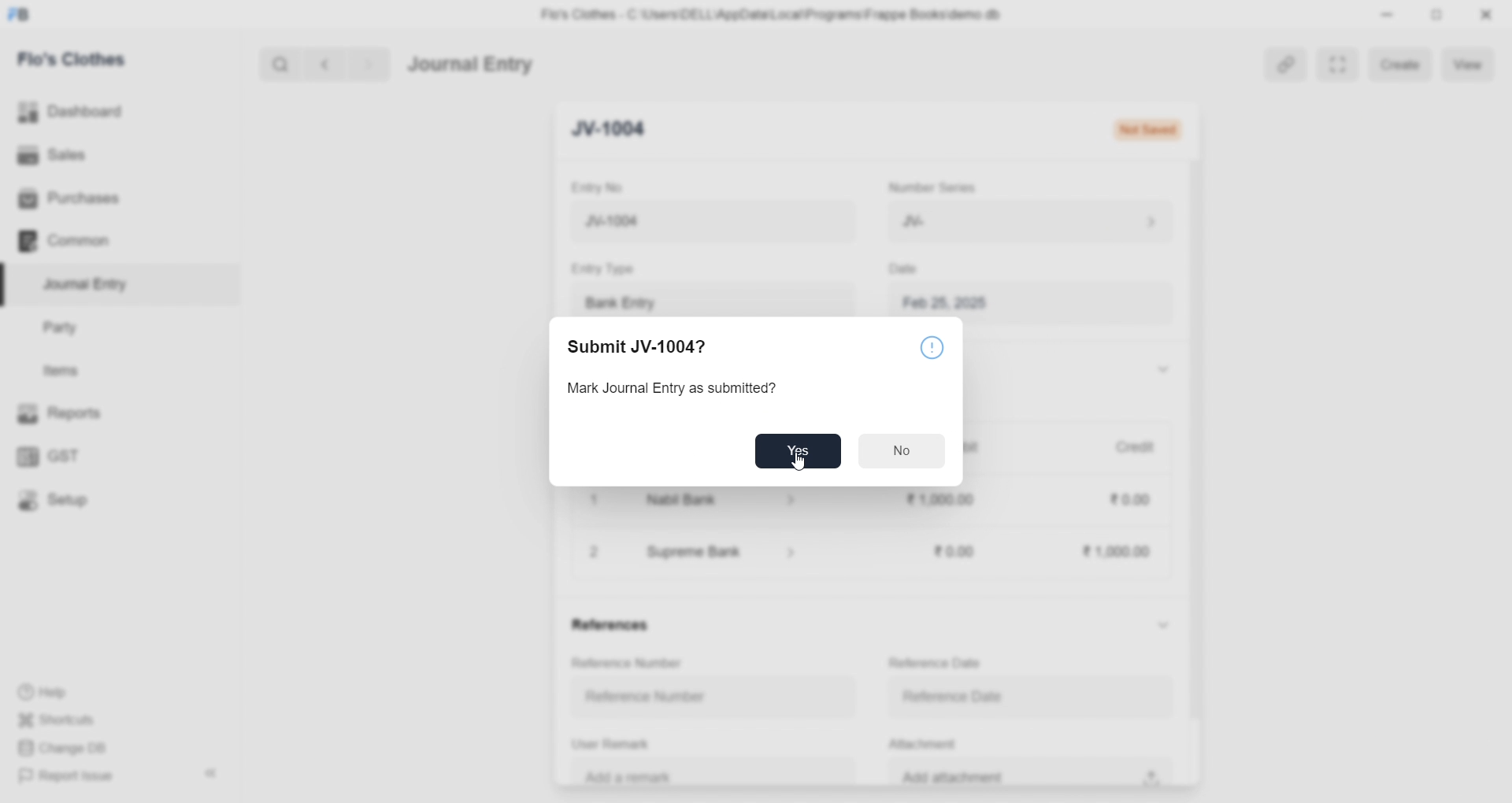  I want to click on NO, so click(902, 450).